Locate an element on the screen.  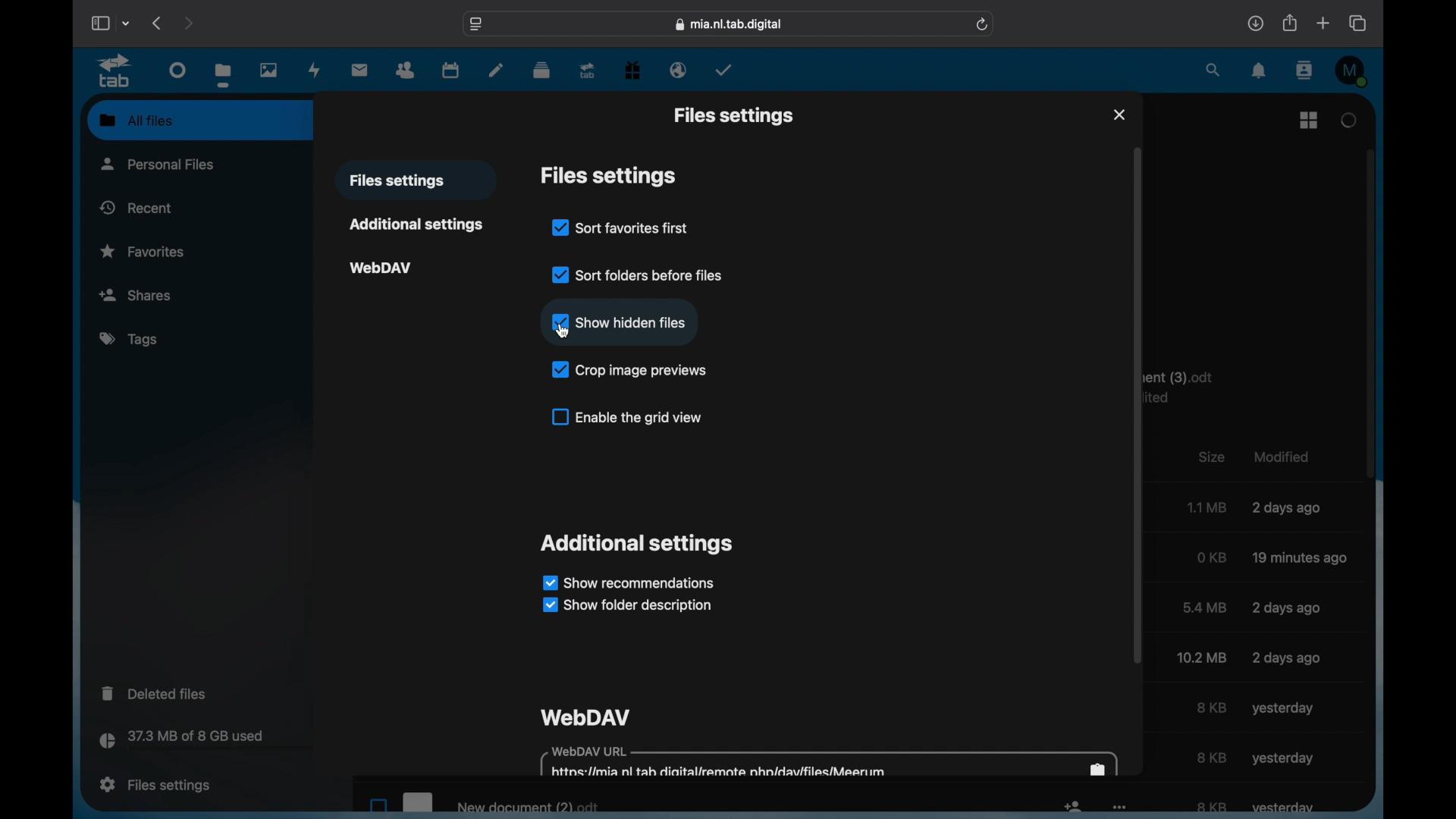
close is located at coordinates (1119, 115).